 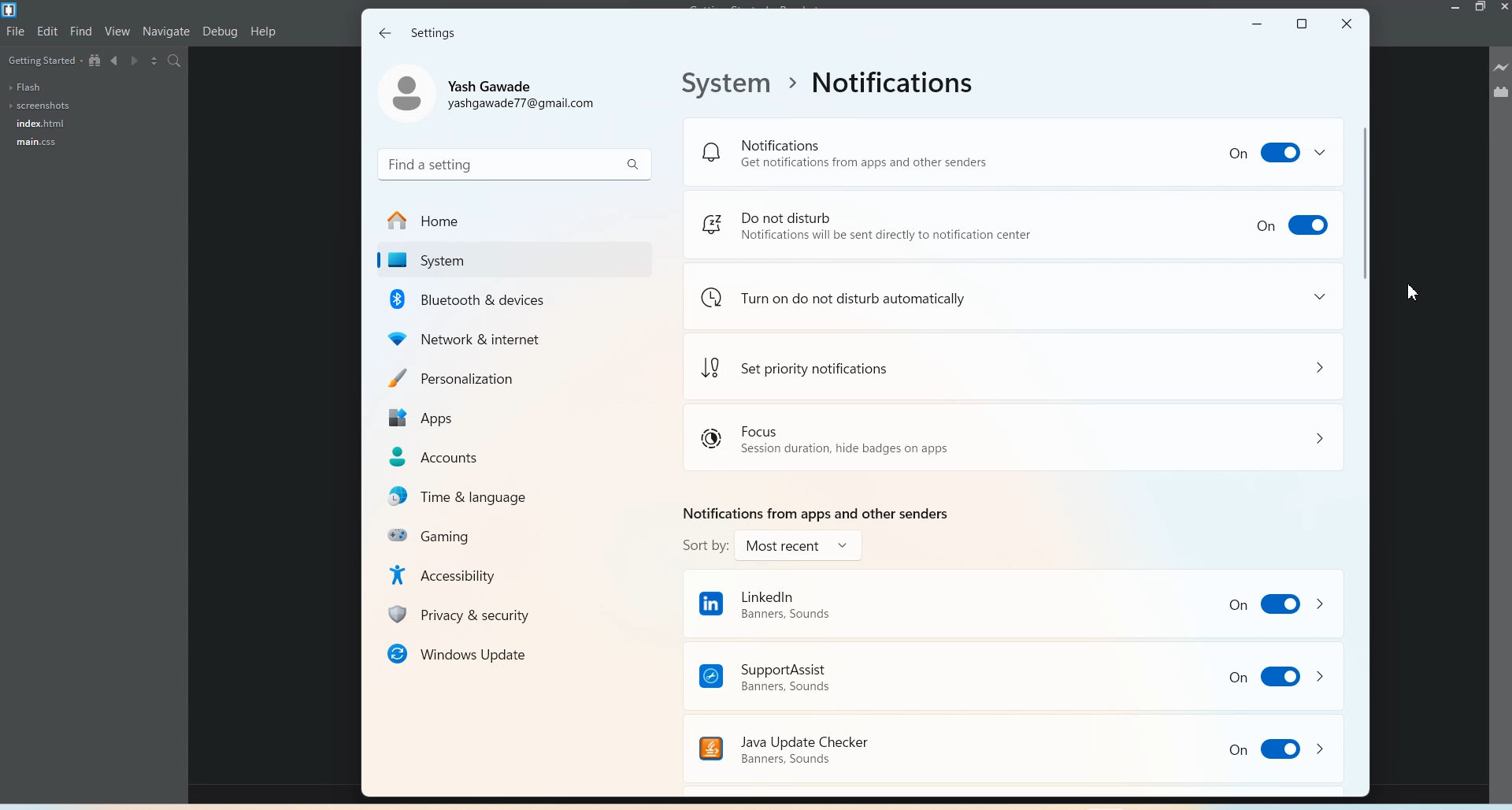 What do you see at coordinates (1014, 438) in the screenshot?
I see `Focus` at bounding box center [1014, 438].